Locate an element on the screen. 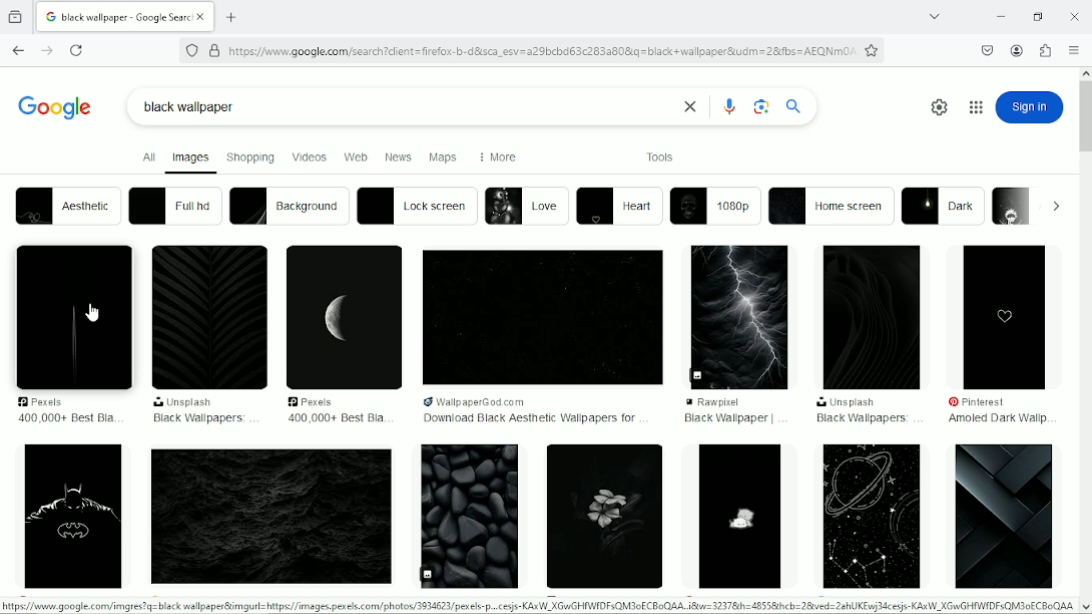 The height and width of the screenshot is (614, 1092). black image is located at coordinates (209, 318).